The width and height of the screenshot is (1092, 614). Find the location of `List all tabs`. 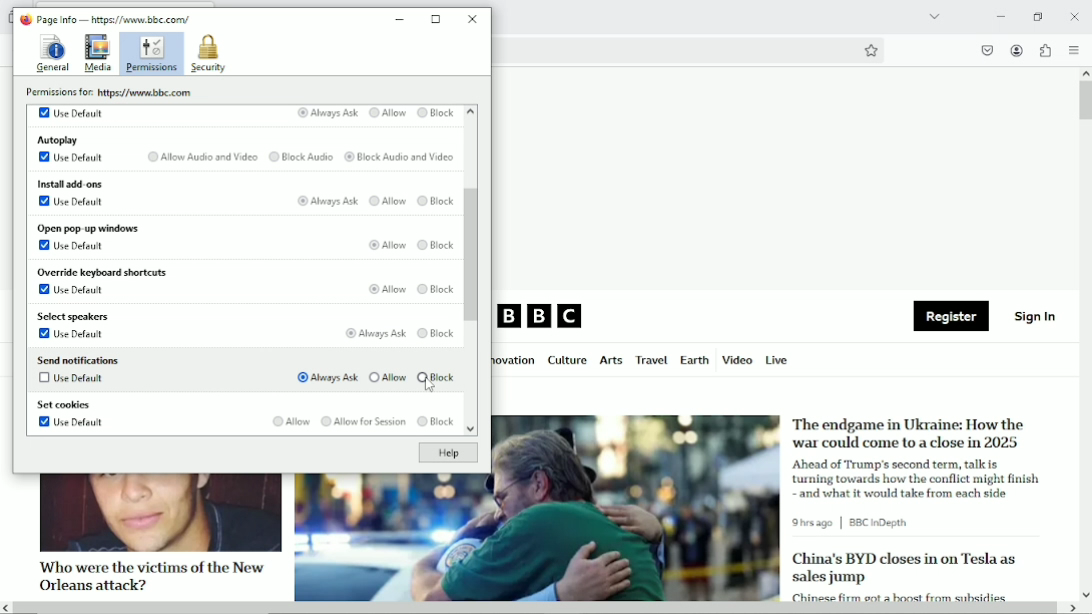

List all tabs is located at coordinates (932, 16).